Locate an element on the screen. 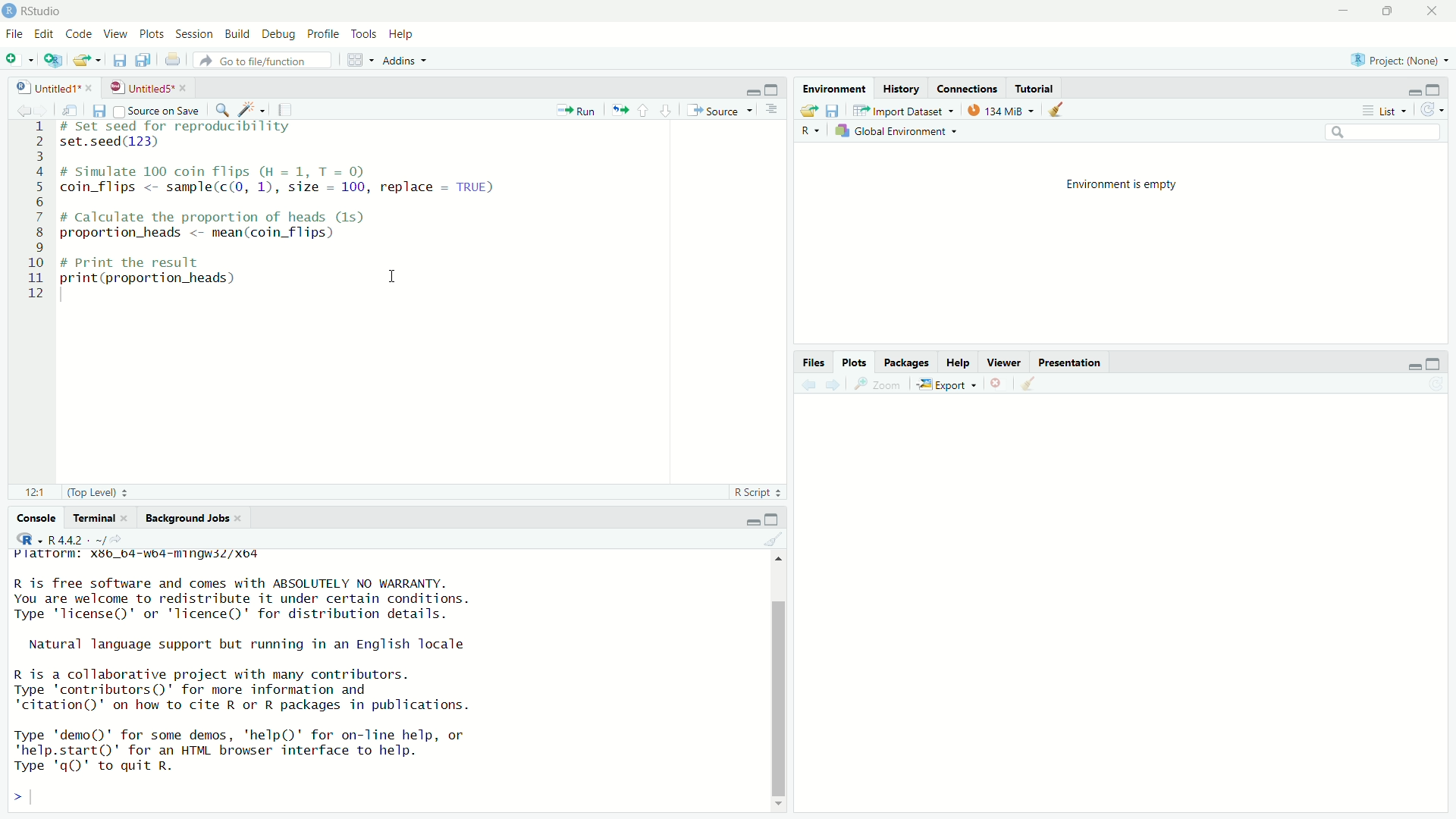  R 1s a collaborative project with many contributors.
Type 'contributors()' for more information and
‘citation()' on how to cite R or R packages in publications. is located at coordinates (270, 690).